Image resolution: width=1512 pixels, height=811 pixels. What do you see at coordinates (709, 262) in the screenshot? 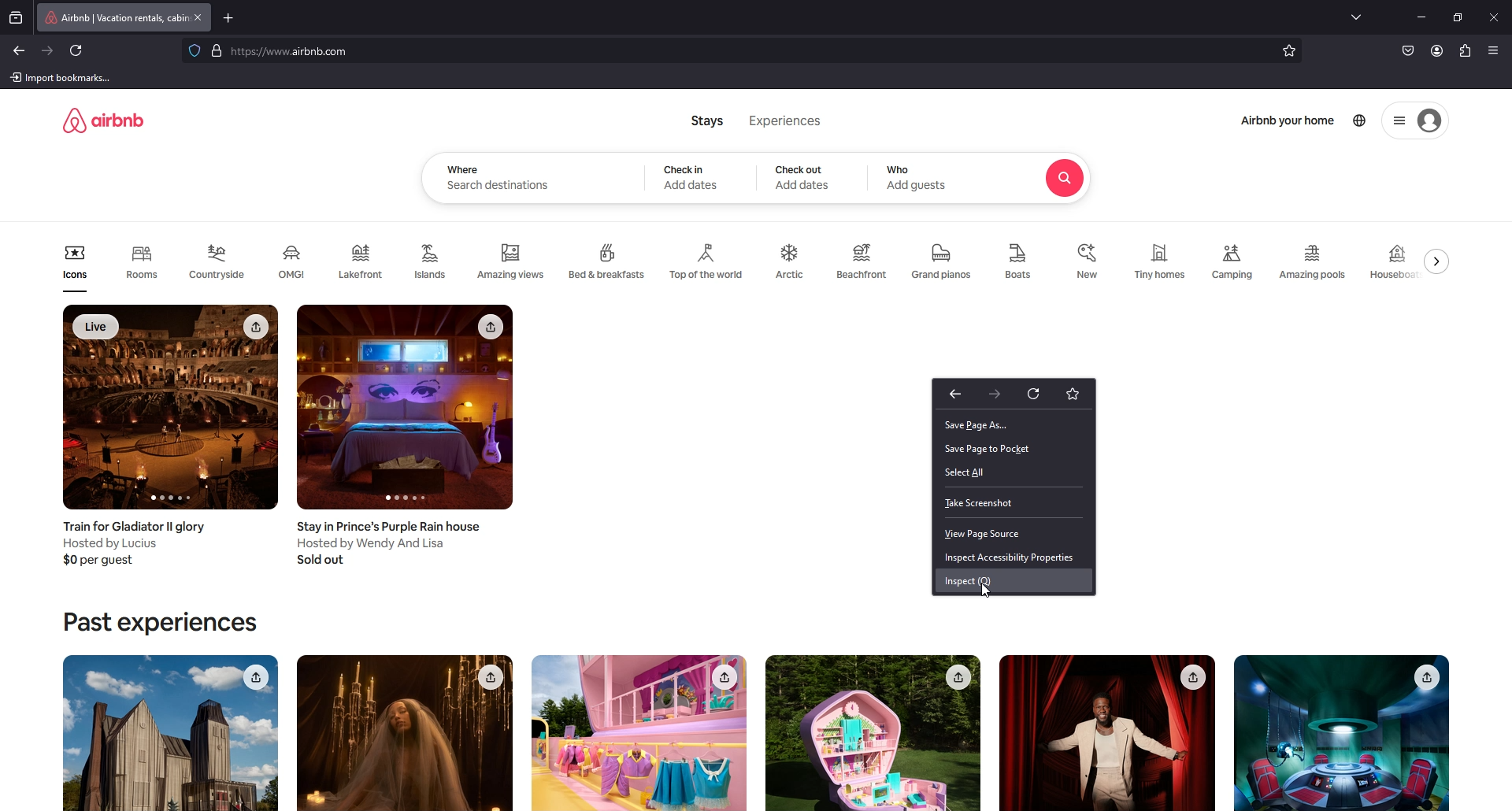
I see `Top of the world` at bounding box center [709, 262].